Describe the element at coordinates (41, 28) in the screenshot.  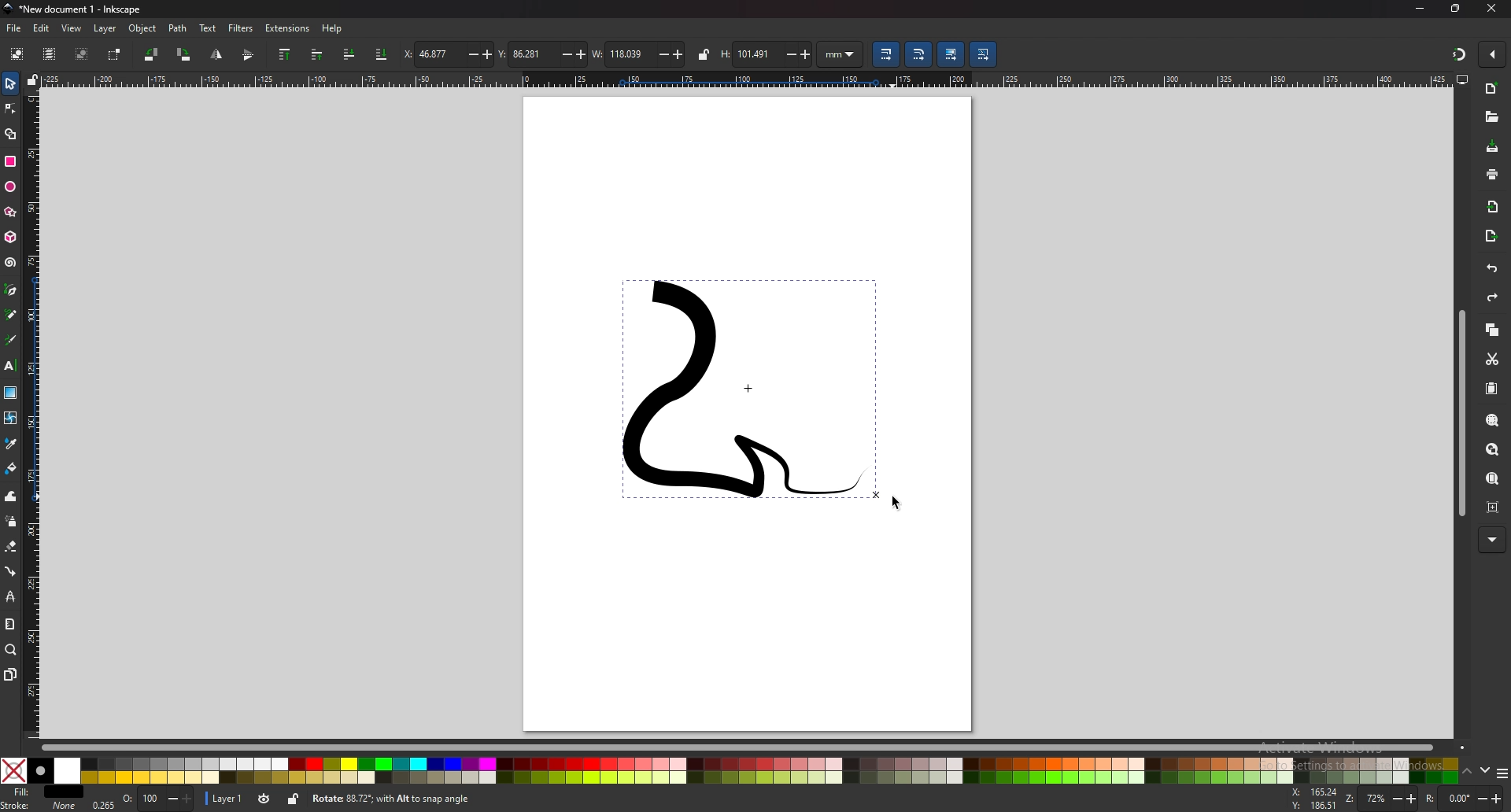
I see `edit` at that location.